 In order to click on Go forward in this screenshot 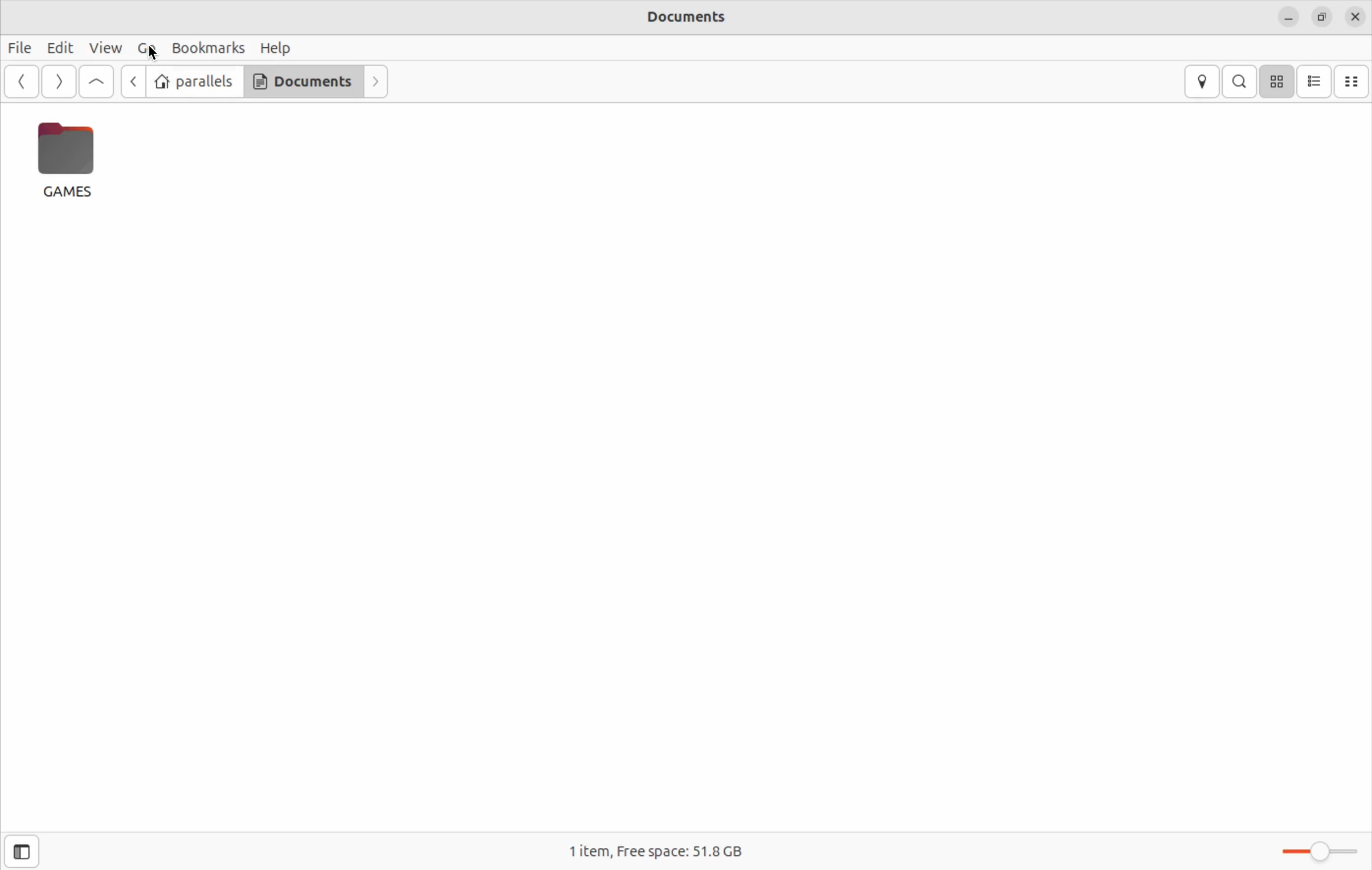, I will do `click(59, 81)`.